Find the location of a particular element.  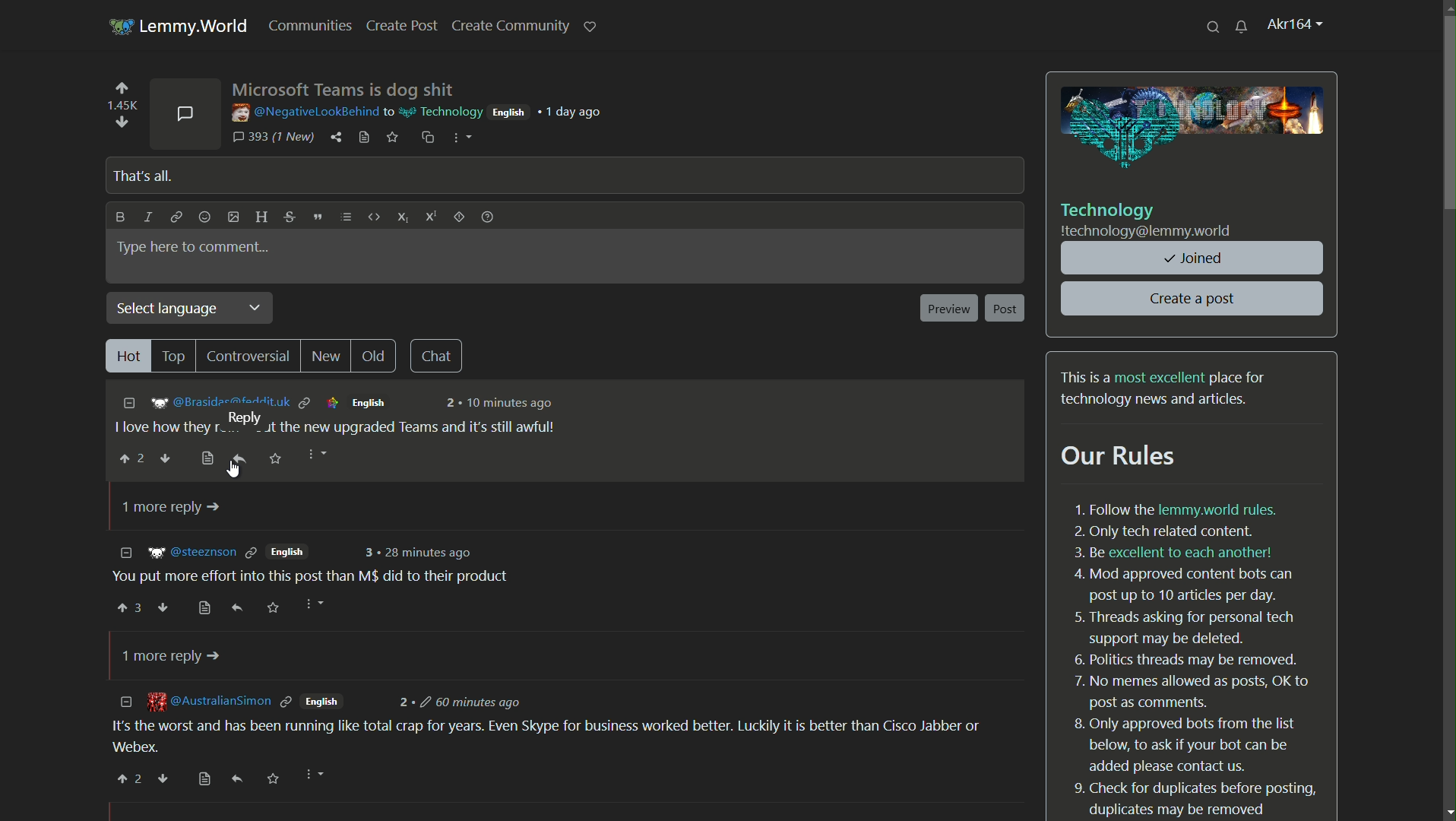

comments is located at coordinates (185, 112).